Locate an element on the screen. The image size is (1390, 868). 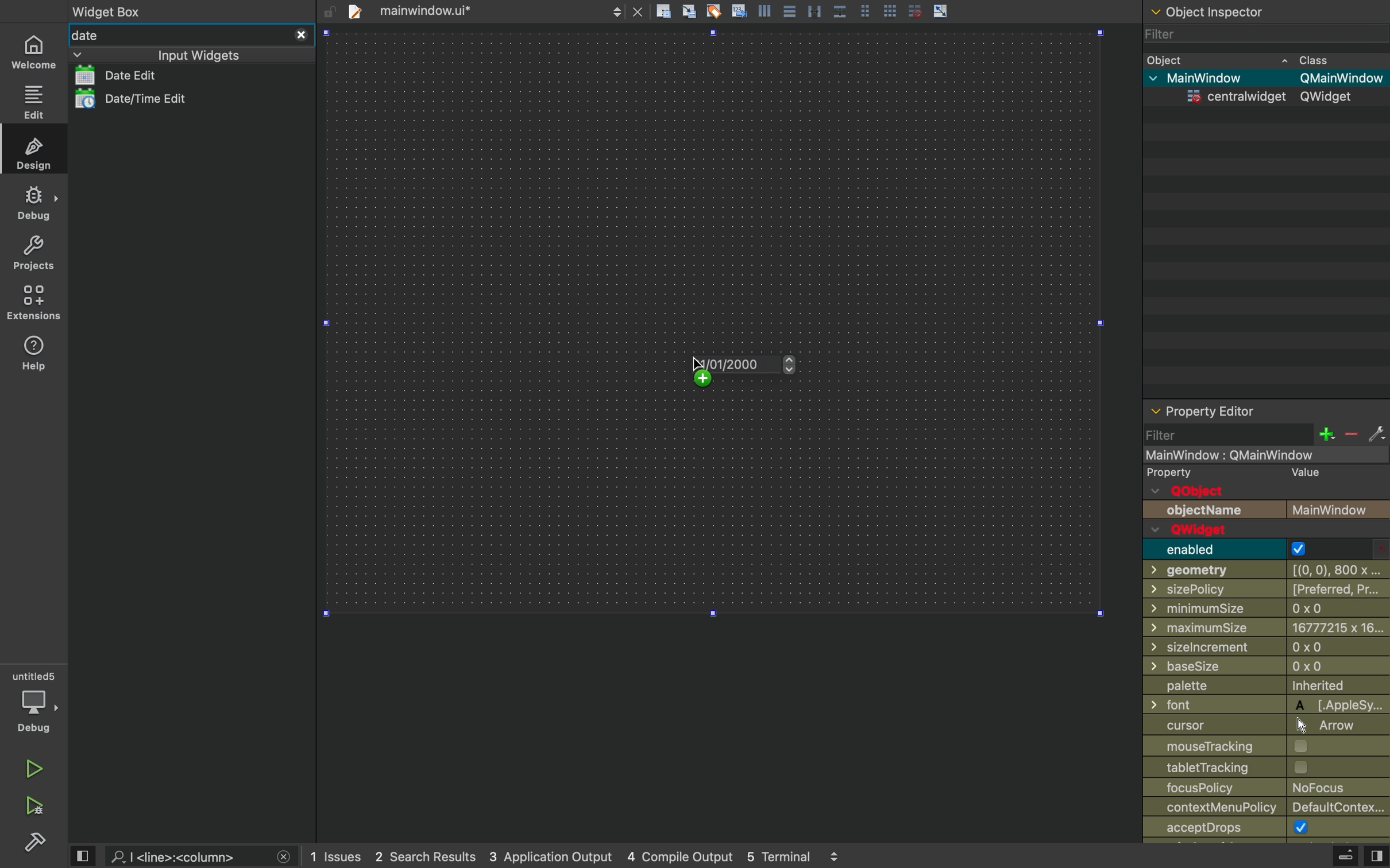
align to grid is located at coordinates (690, 11).